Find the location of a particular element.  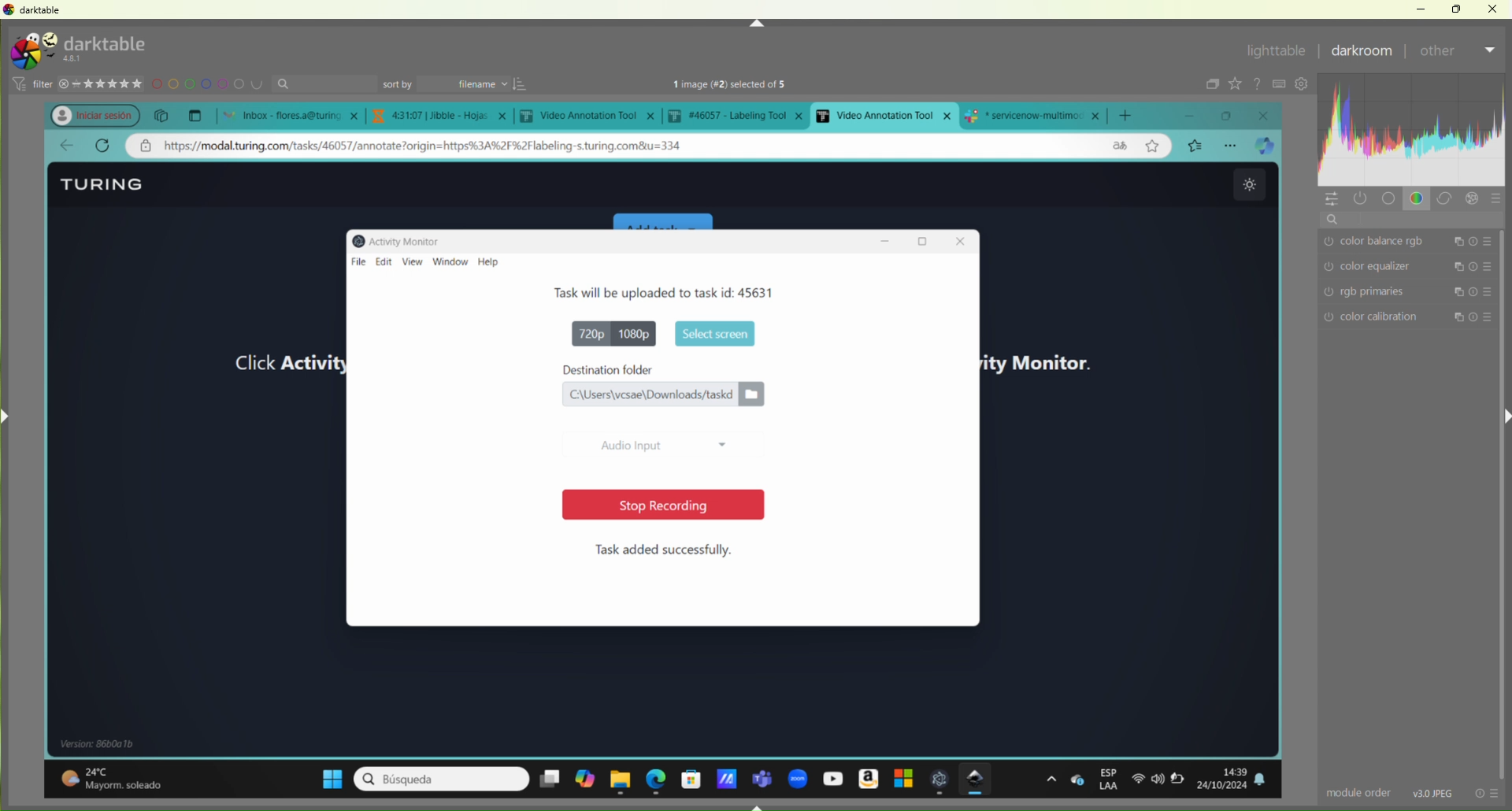

Darkroom is located at coordinates (1359, 51).